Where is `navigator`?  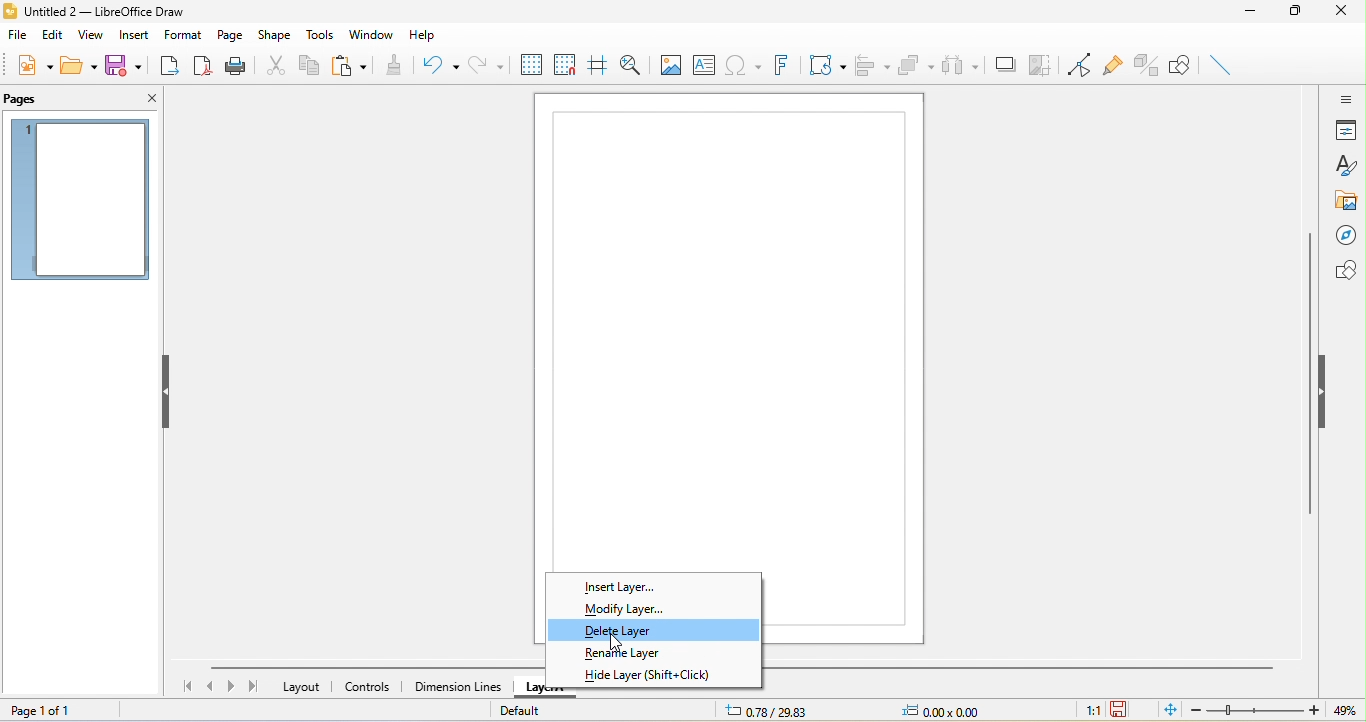
navigator is located at coordinates (1343, 232).